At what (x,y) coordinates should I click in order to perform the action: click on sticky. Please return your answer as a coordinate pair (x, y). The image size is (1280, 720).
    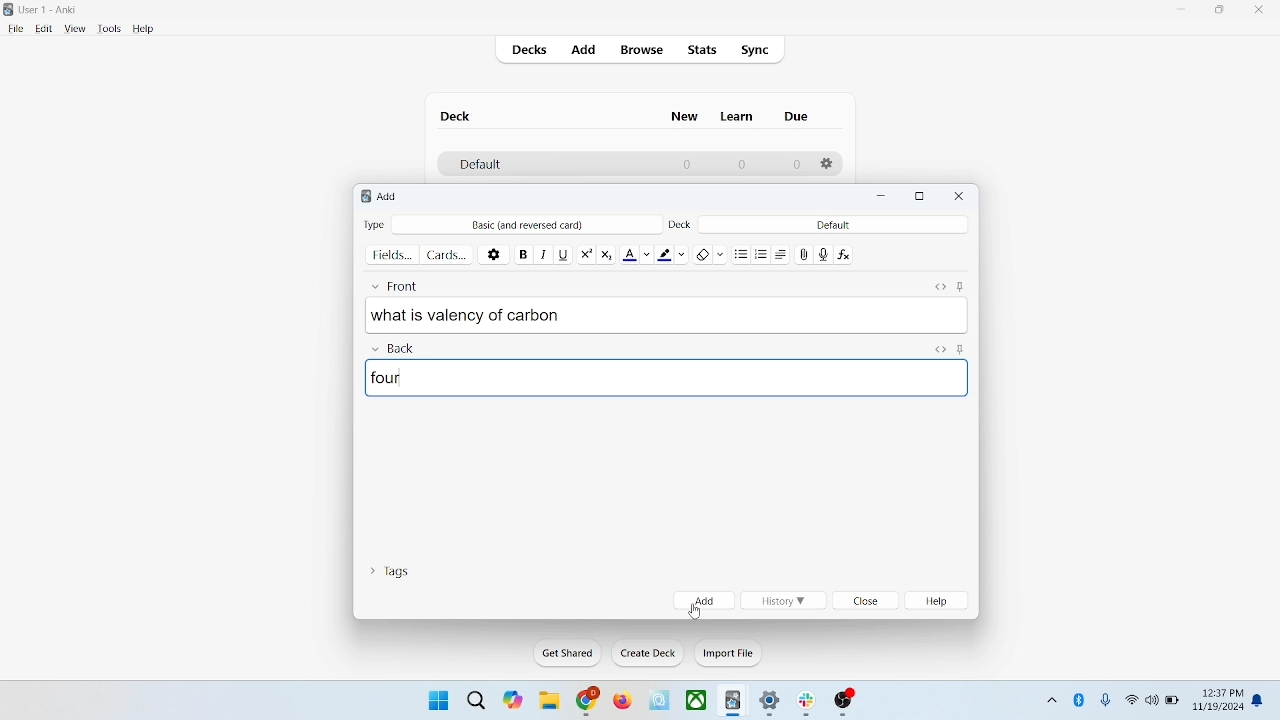
    Looking at the image, I should click on (960, 284).